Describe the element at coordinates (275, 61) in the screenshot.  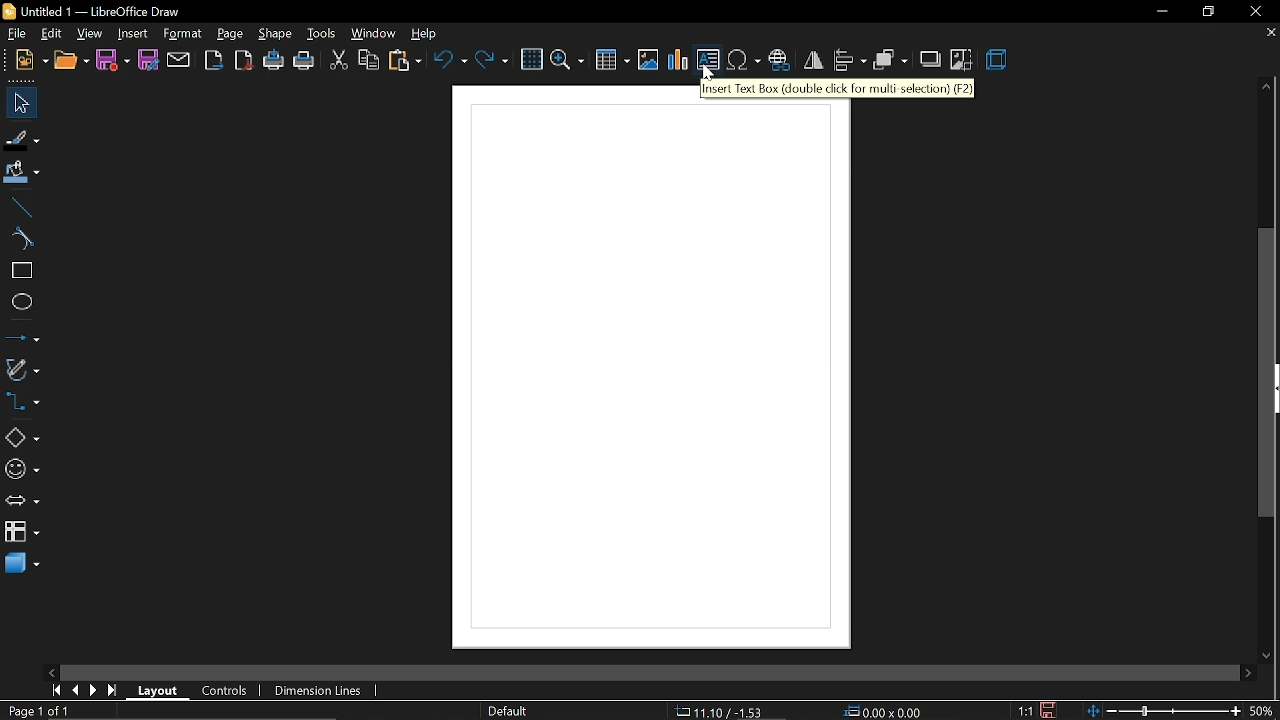
I see `print directly` at that location.